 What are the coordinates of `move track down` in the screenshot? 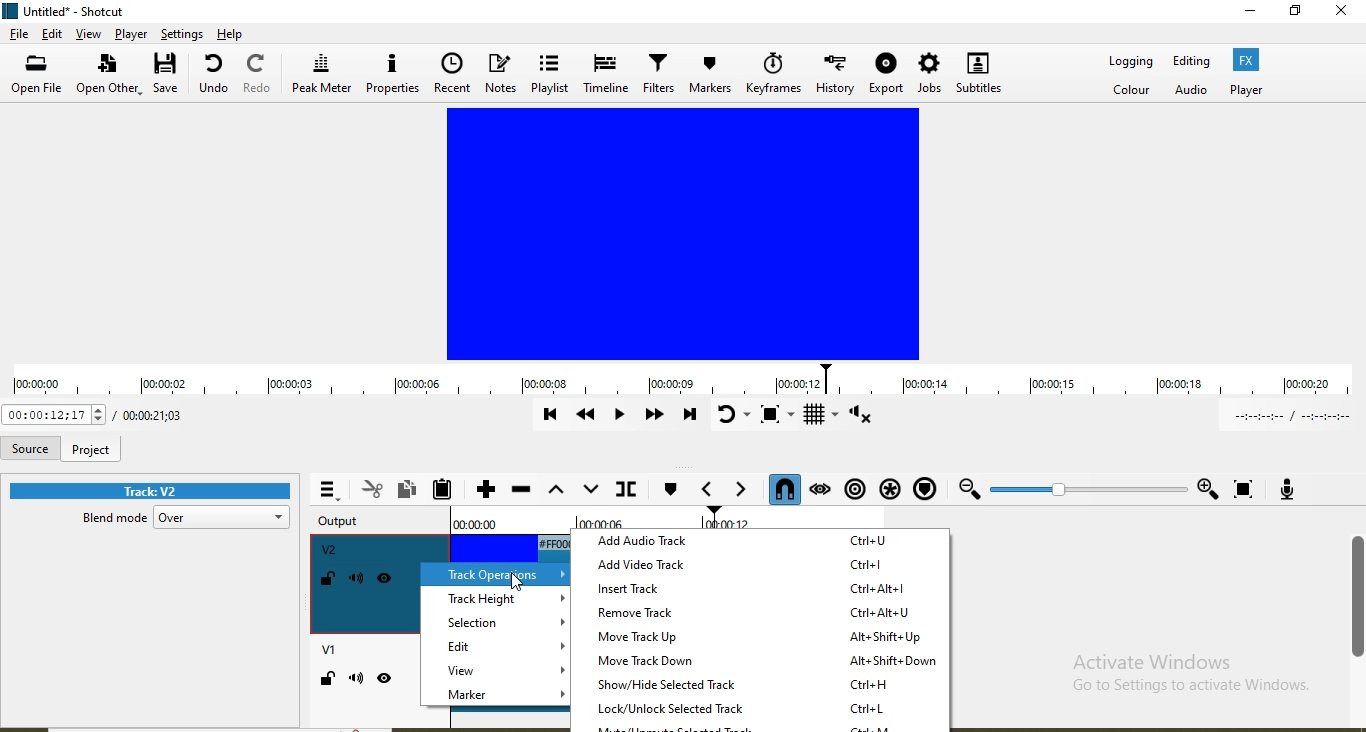 It's located at (764, 661).